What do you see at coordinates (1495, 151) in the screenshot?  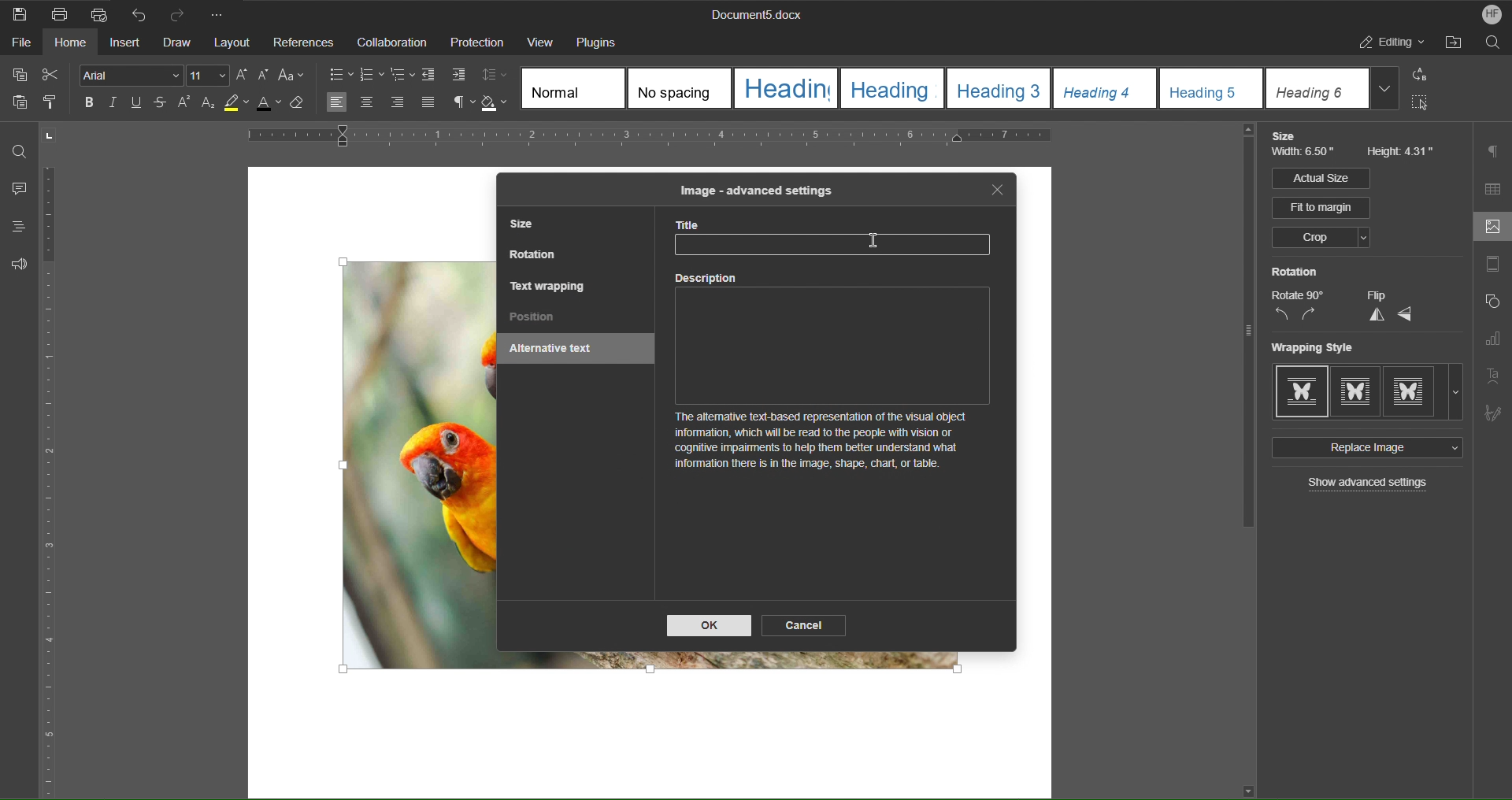 I see `Paragraph Settings` at bounding box center [1495, 151].